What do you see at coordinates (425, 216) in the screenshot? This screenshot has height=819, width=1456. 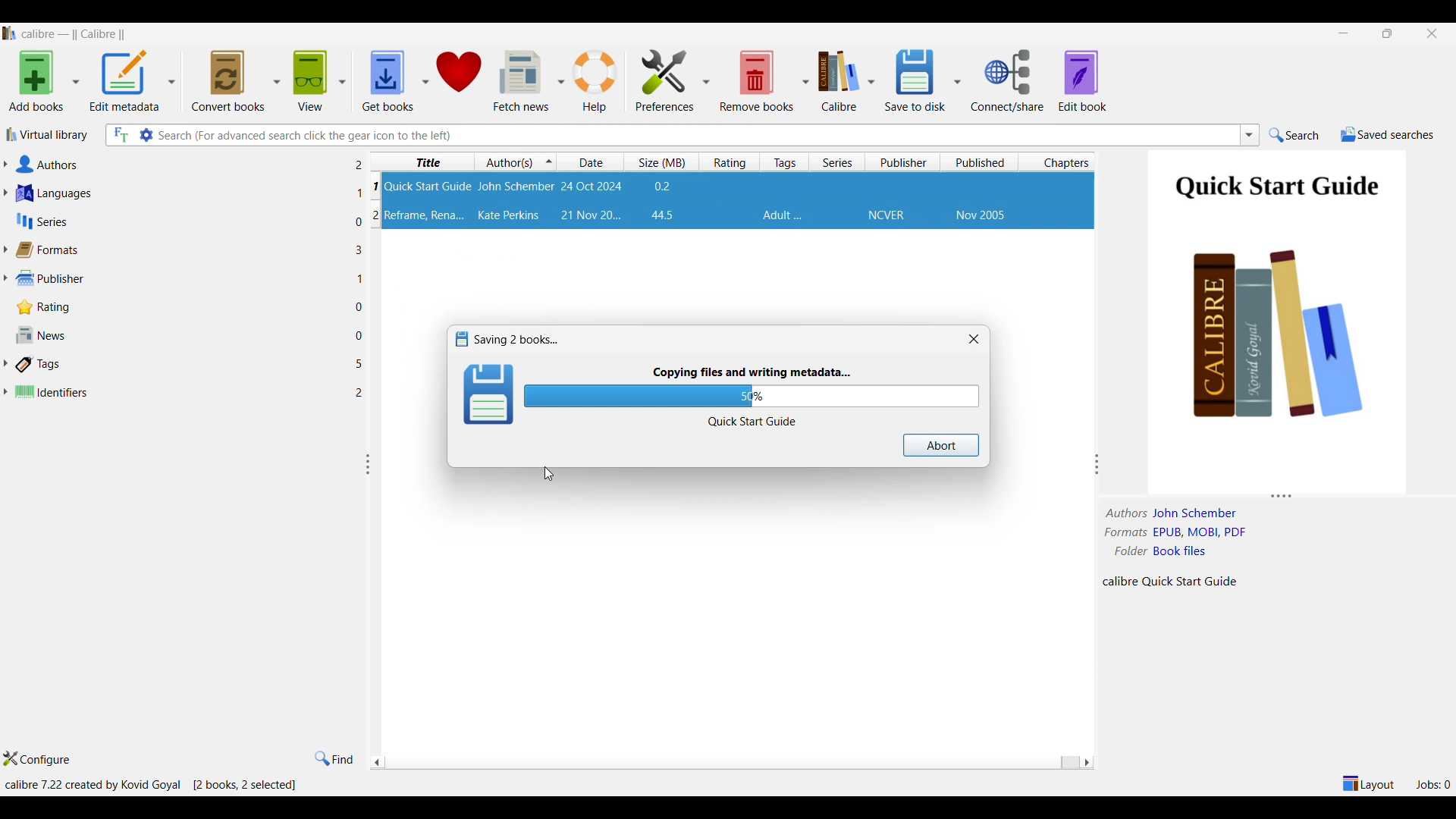 I see `title` at bounding box center [425, 216].